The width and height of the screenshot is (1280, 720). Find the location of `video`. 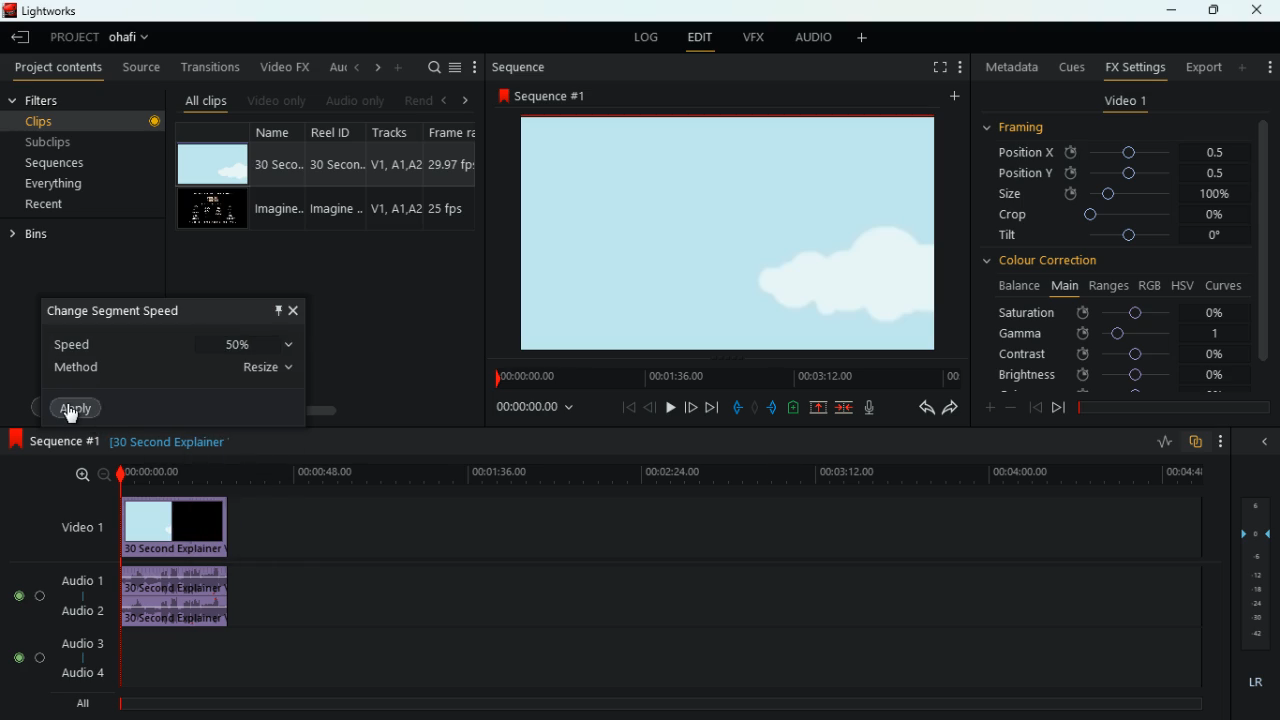

video is located at coordinates (181, 525).